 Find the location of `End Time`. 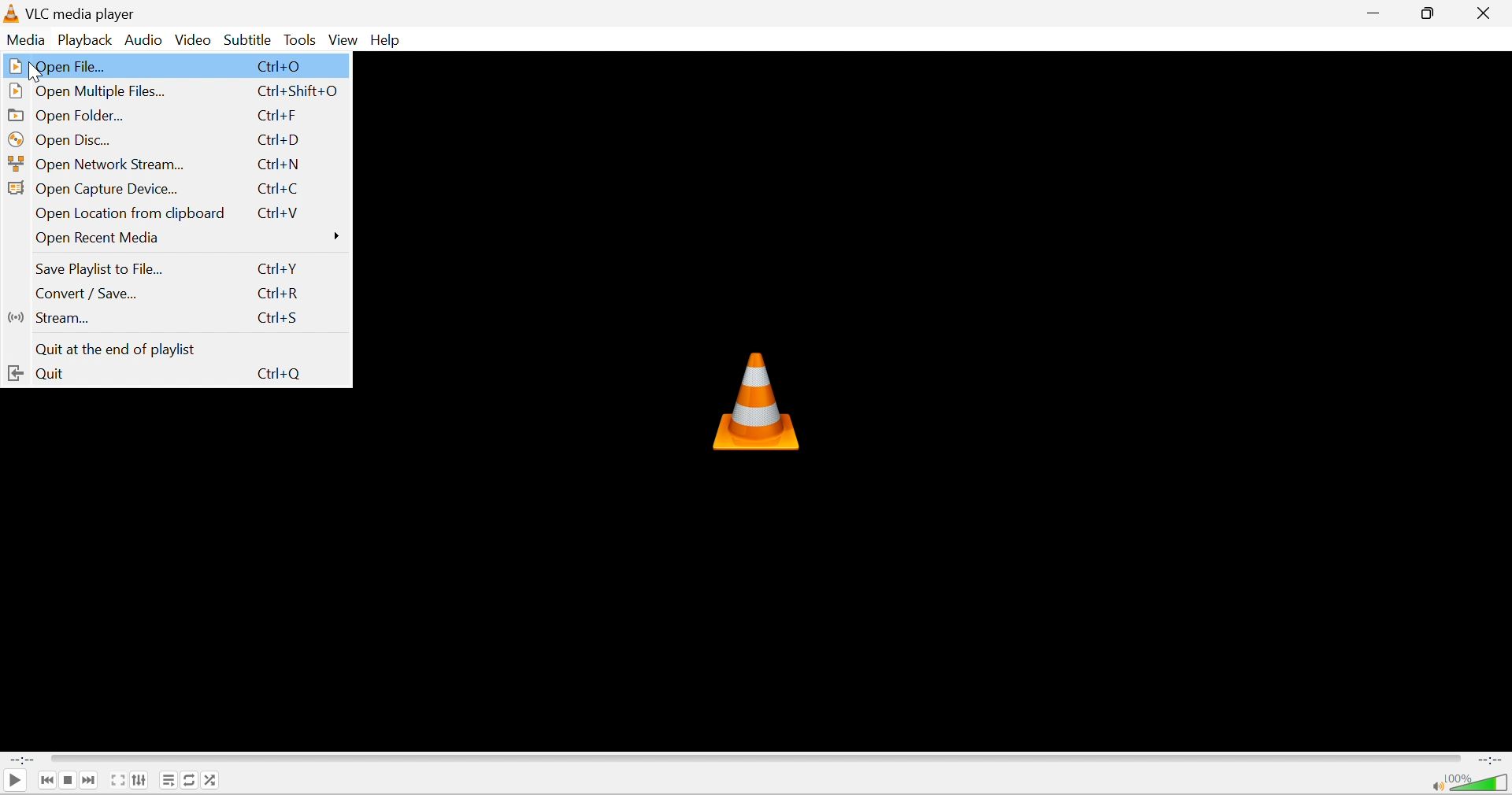

End Time is located at coordinates (1489, 760).